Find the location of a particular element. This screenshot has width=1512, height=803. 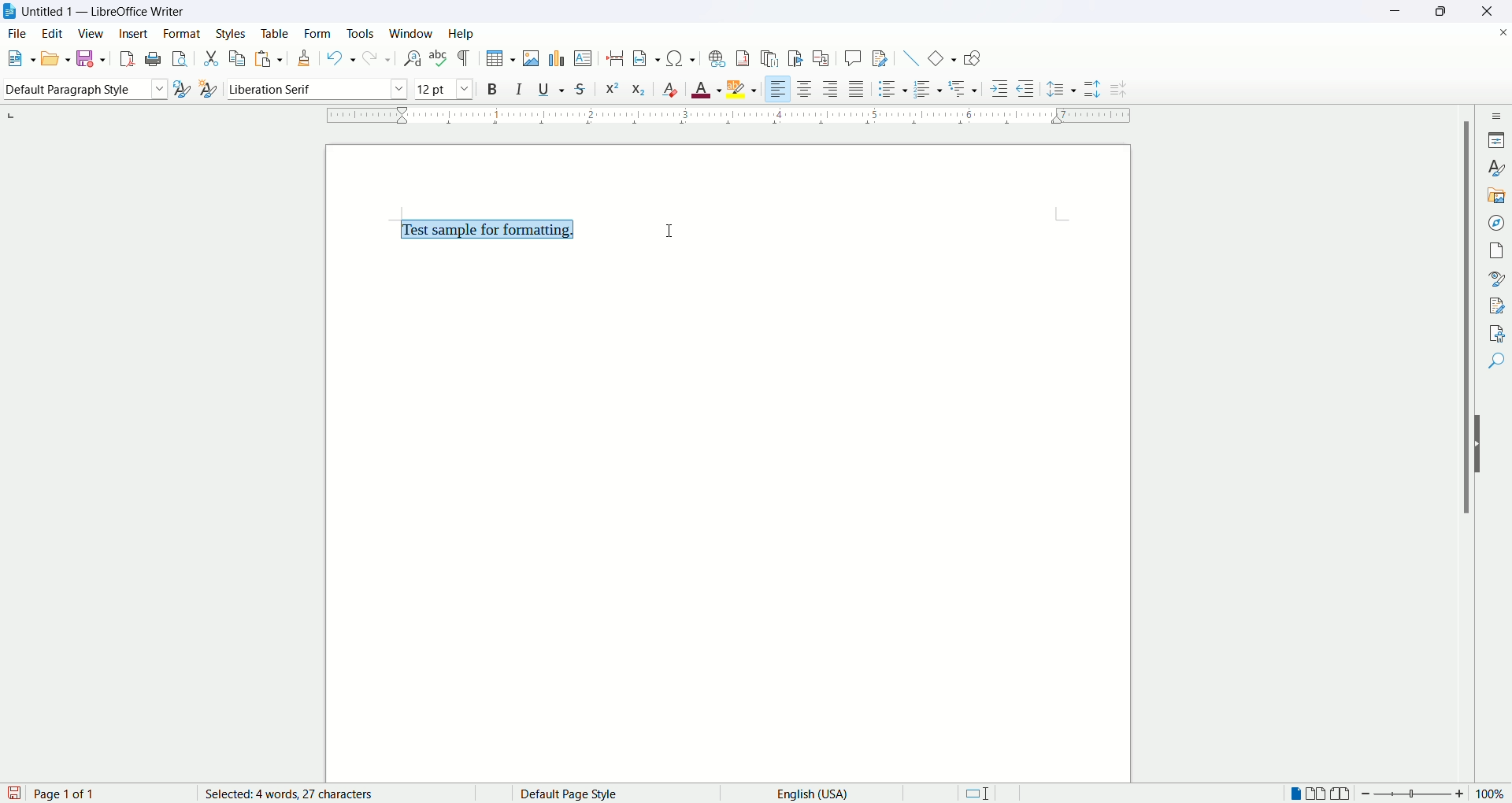

highlighting color is located at coordinates (743, 89).